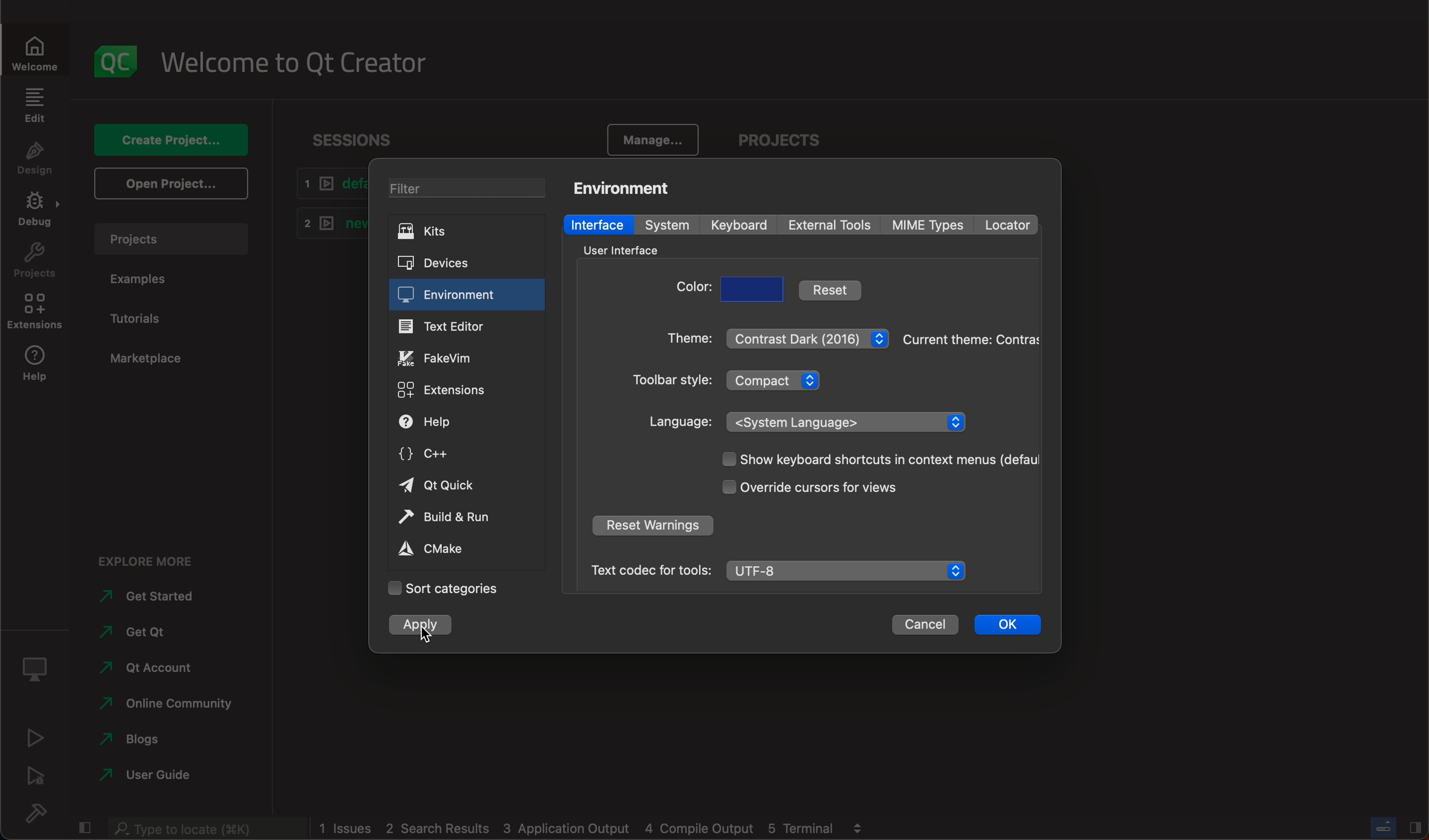 The width and height of the screenshot is (1429, 840). I want to click on debug, so click(39, 213).